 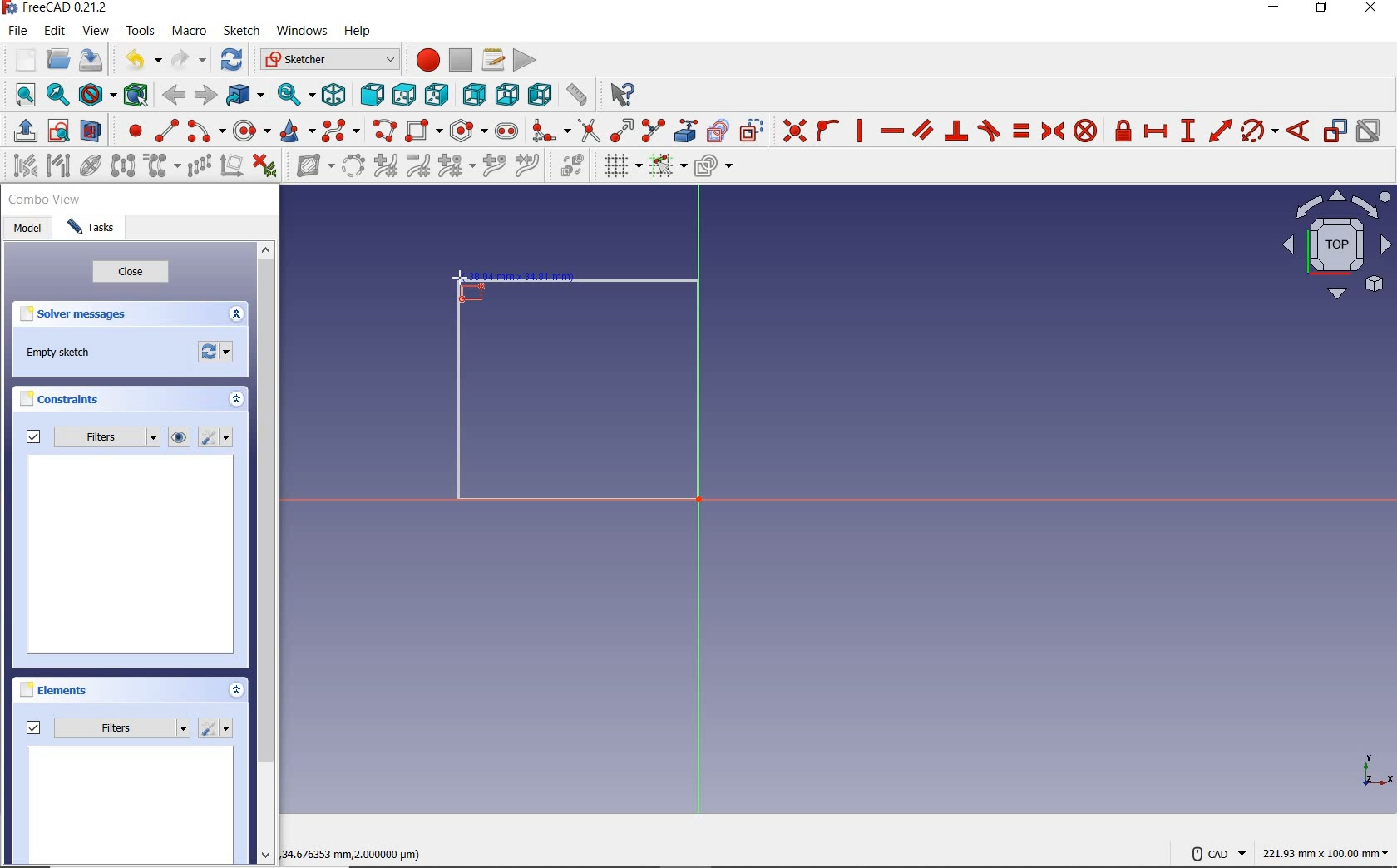 What do you see at coordinates (438, 95) in the screenshot?
I see `right` at bounding box center [438, 95].